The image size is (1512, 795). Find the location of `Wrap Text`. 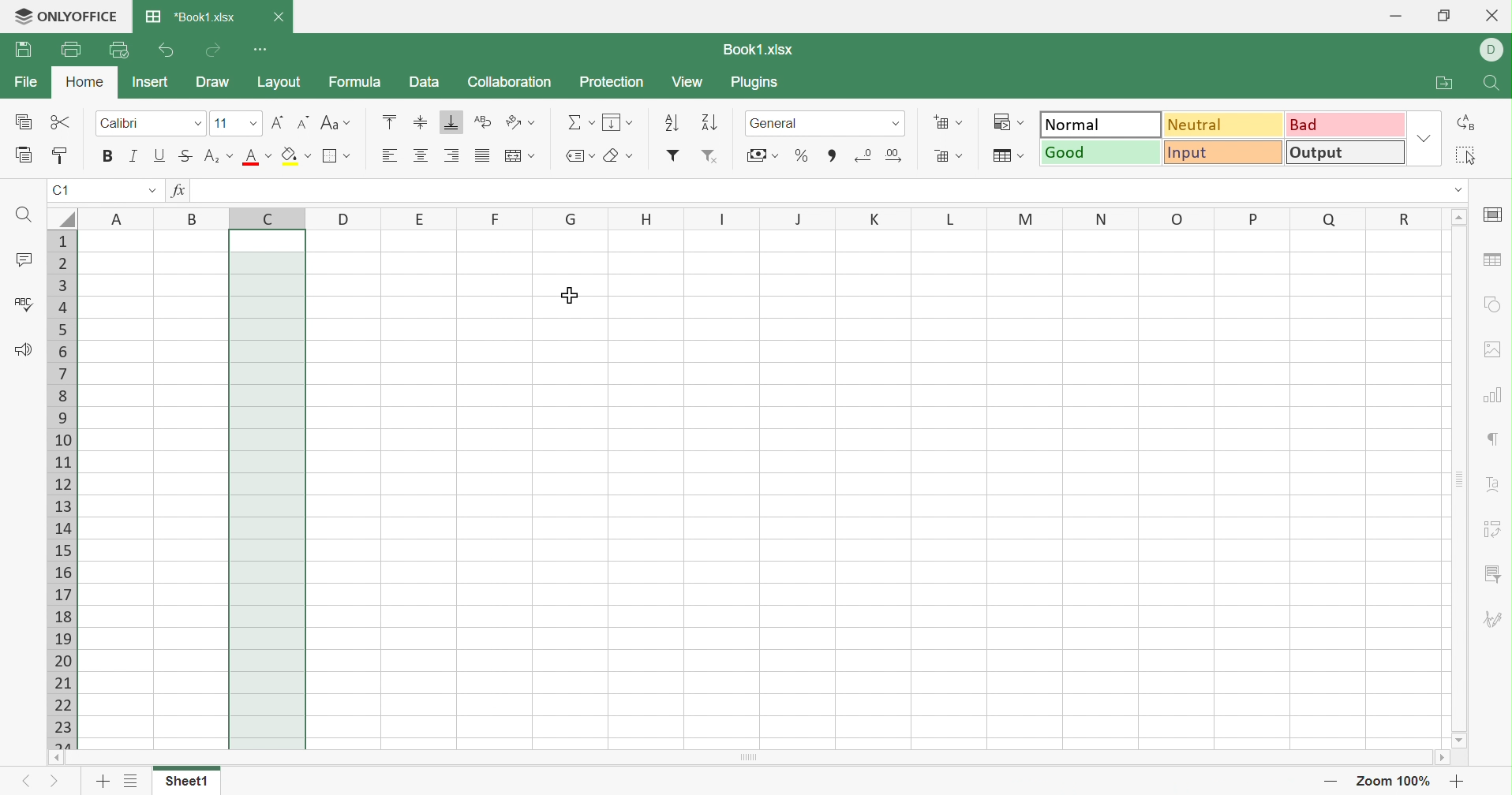

Wrap Text is located at coordinates (480, 119).